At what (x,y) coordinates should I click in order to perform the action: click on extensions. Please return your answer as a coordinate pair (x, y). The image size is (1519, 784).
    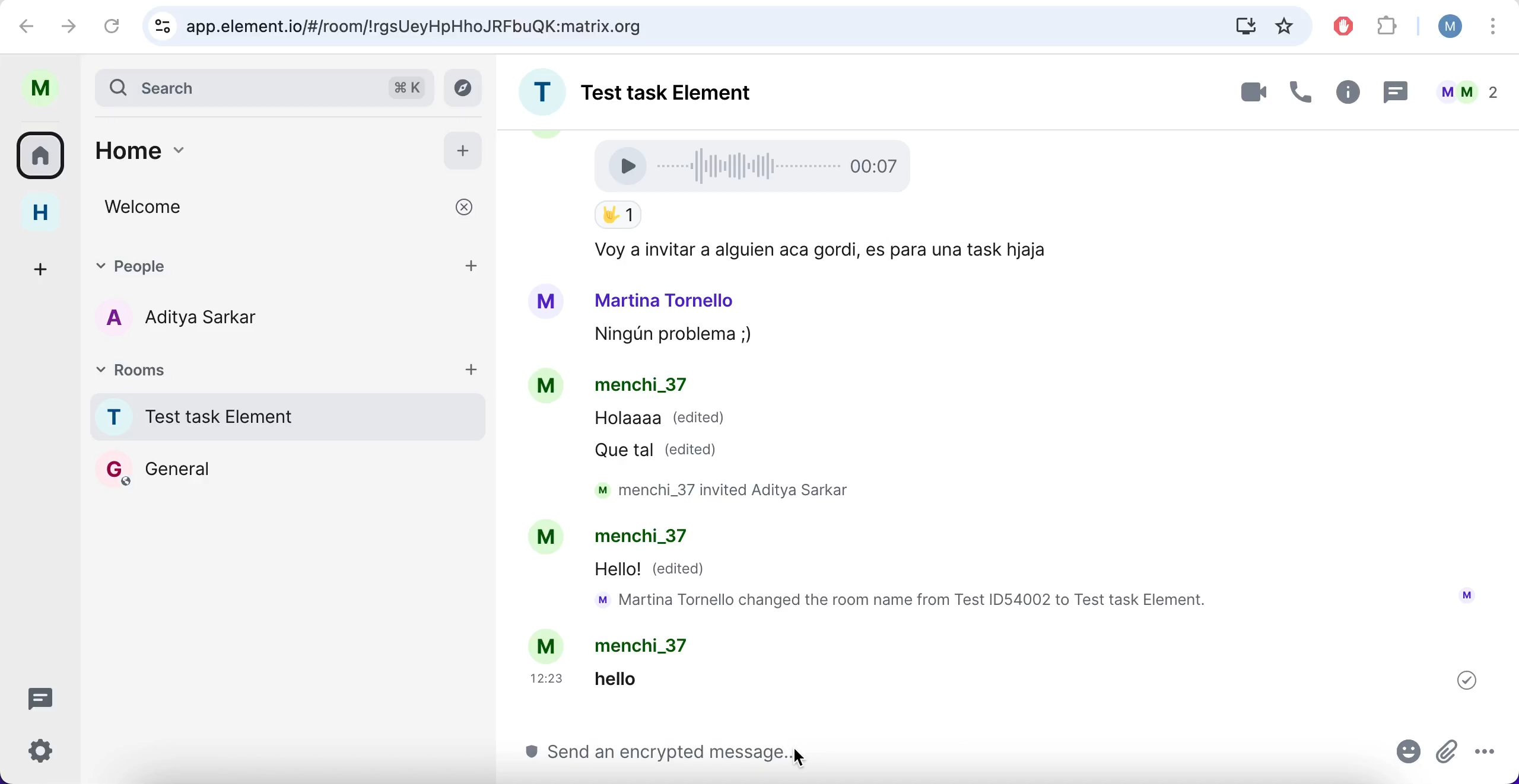
    Looking at the image, I should click on (1390, 27).